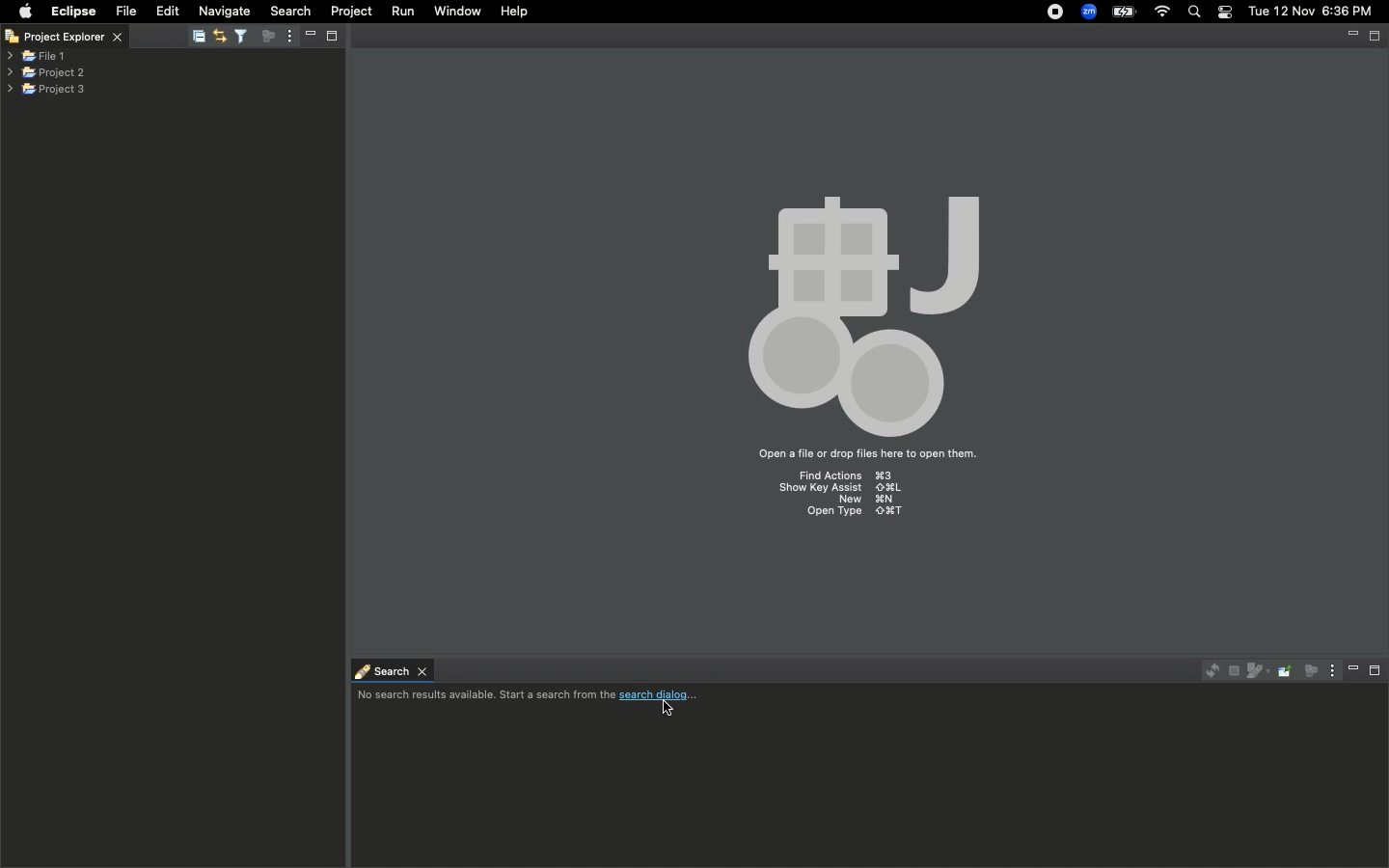 This screenshot has width=1389, height=868. I want to click on Cancel current search, so click(1232, 671).